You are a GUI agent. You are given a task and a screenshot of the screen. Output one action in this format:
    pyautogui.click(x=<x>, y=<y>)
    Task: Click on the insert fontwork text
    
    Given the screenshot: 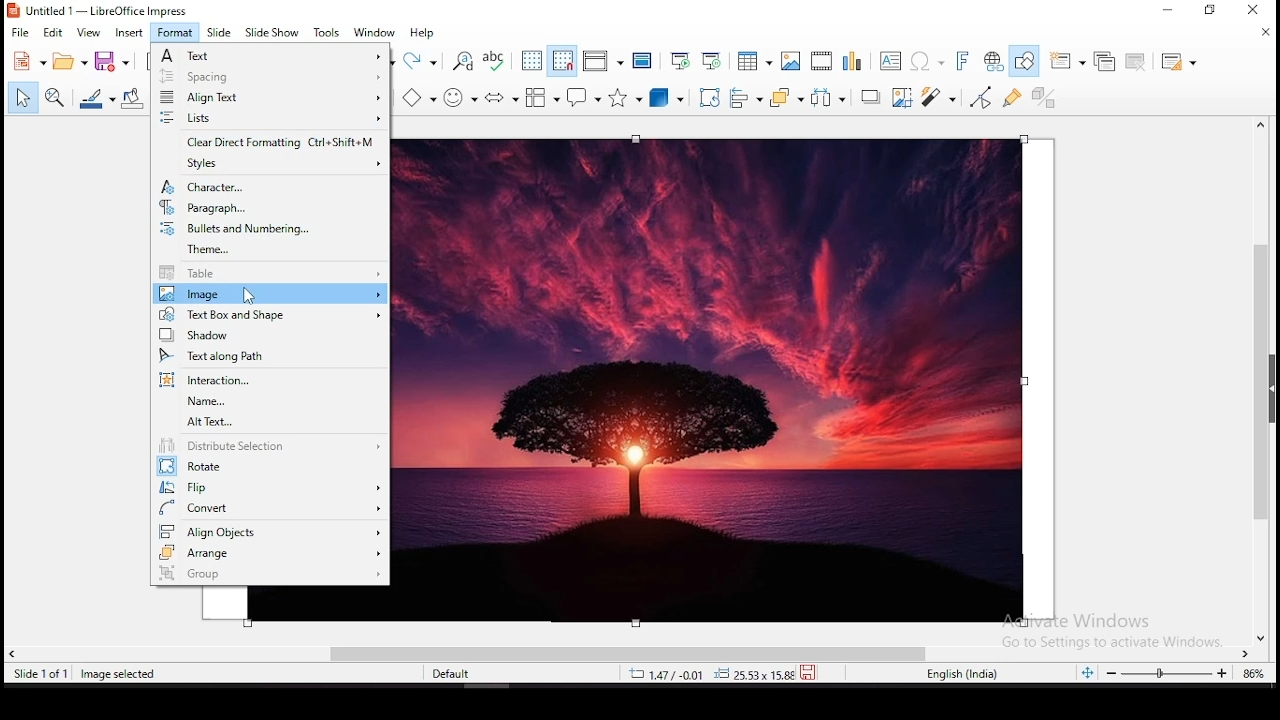 What is the action you would take?
    pyautogui.click(x=964, y=60)
    